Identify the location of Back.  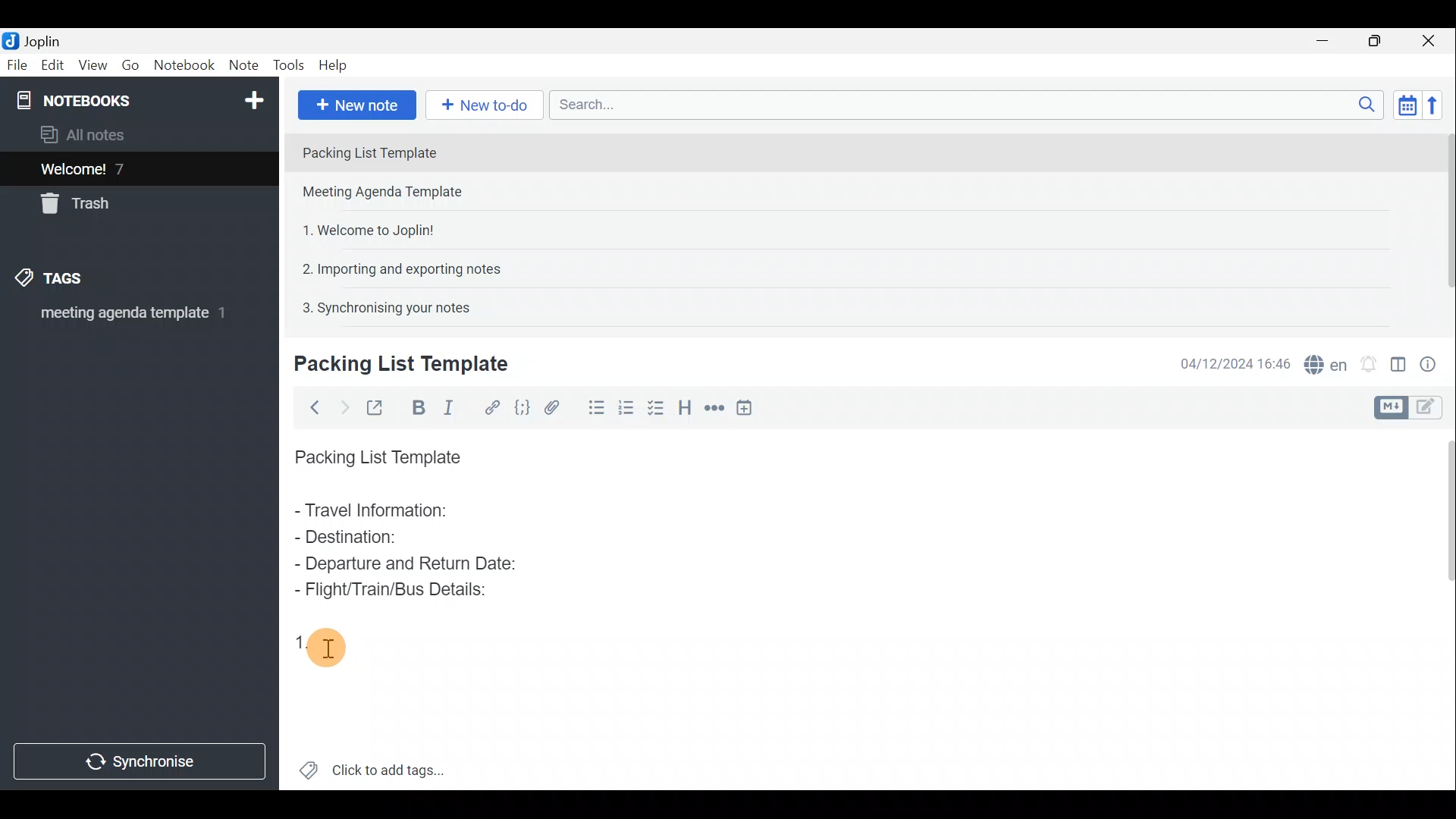
(312, 407).